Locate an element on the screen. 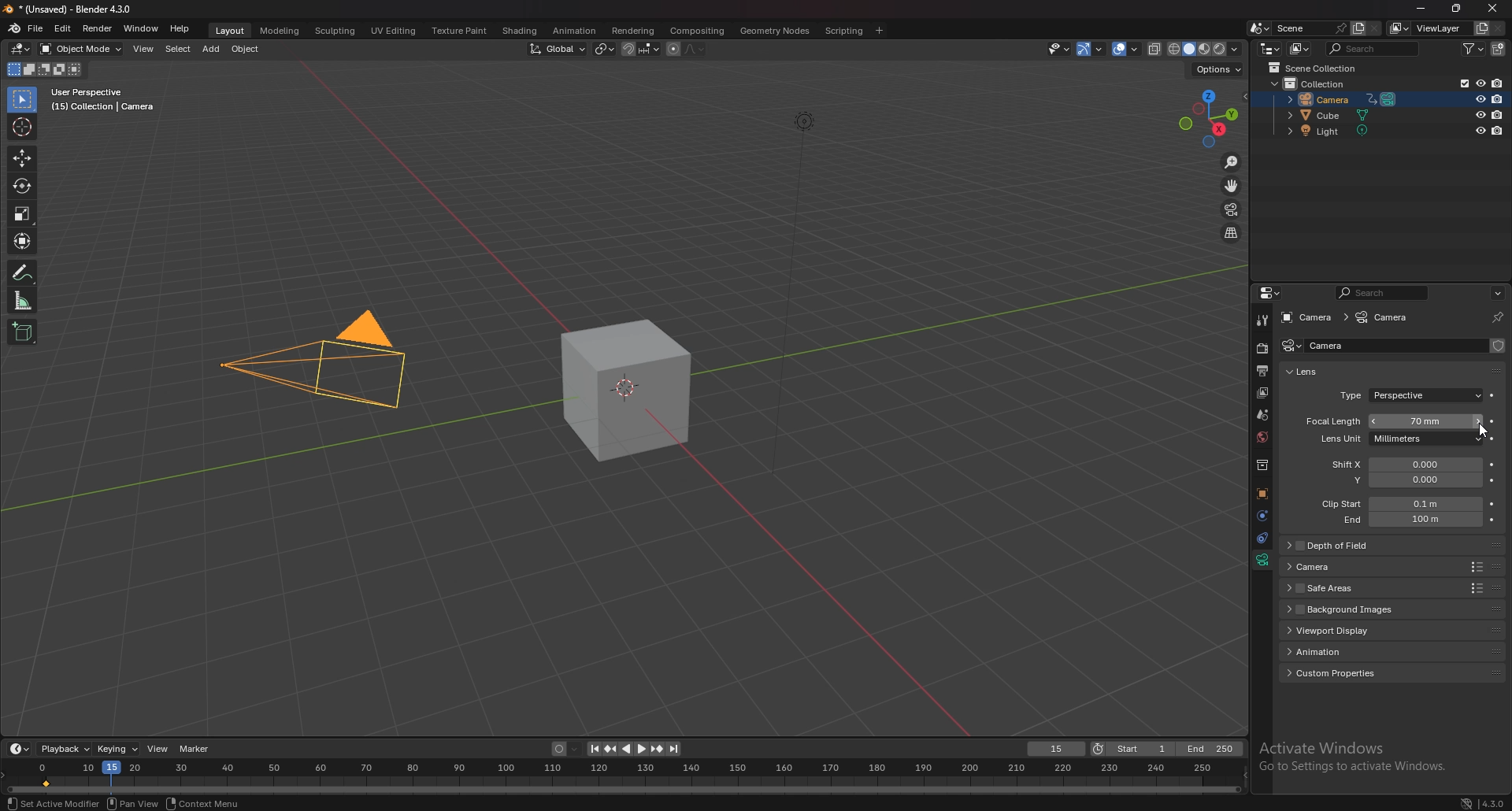 This screenshot has height=811, width=1512. options is located at coordinates (1497, 291).